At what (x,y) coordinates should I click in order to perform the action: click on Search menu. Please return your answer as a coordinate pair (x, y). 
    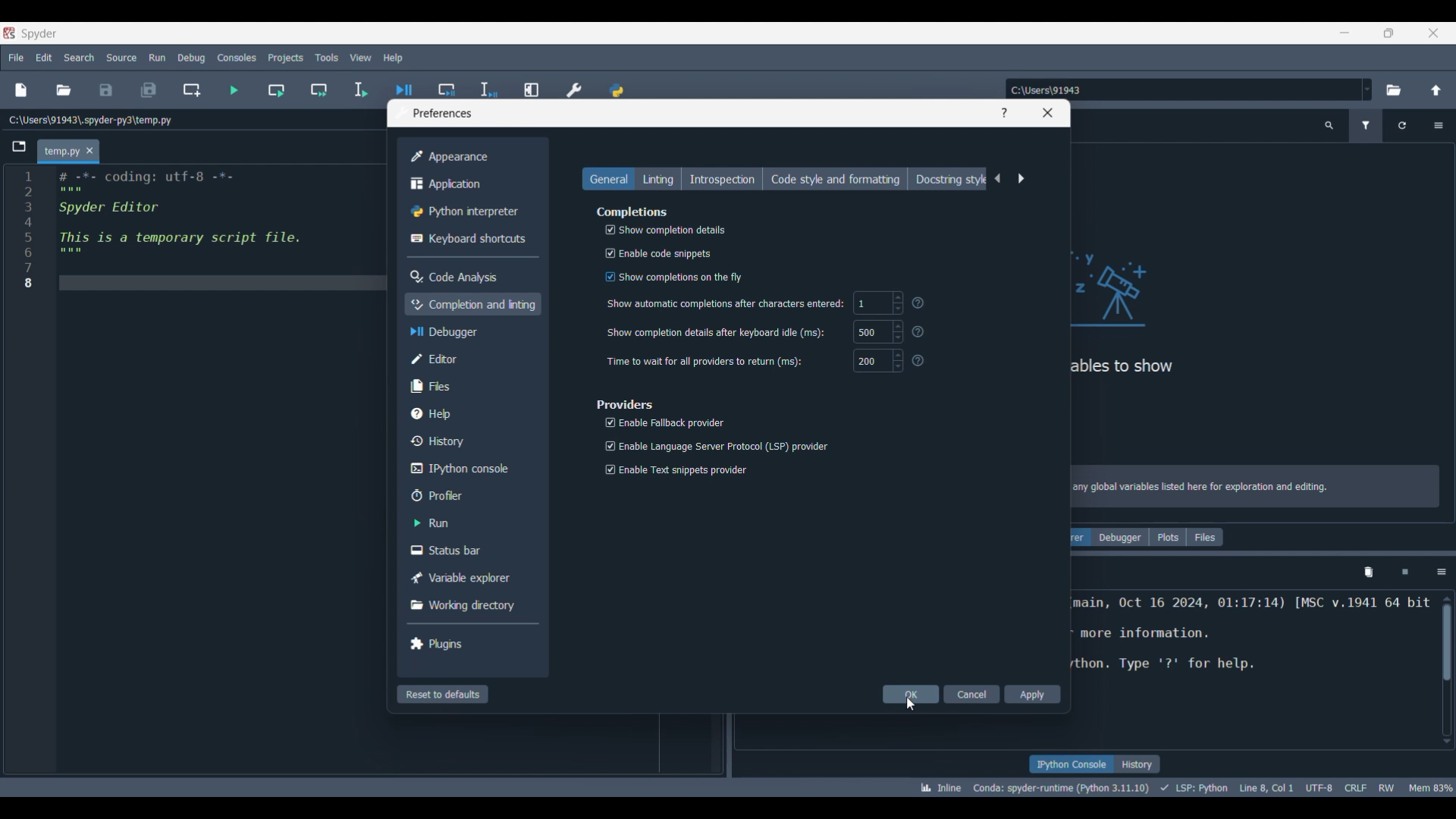
    Looking at the image, I should click on (79, 58).